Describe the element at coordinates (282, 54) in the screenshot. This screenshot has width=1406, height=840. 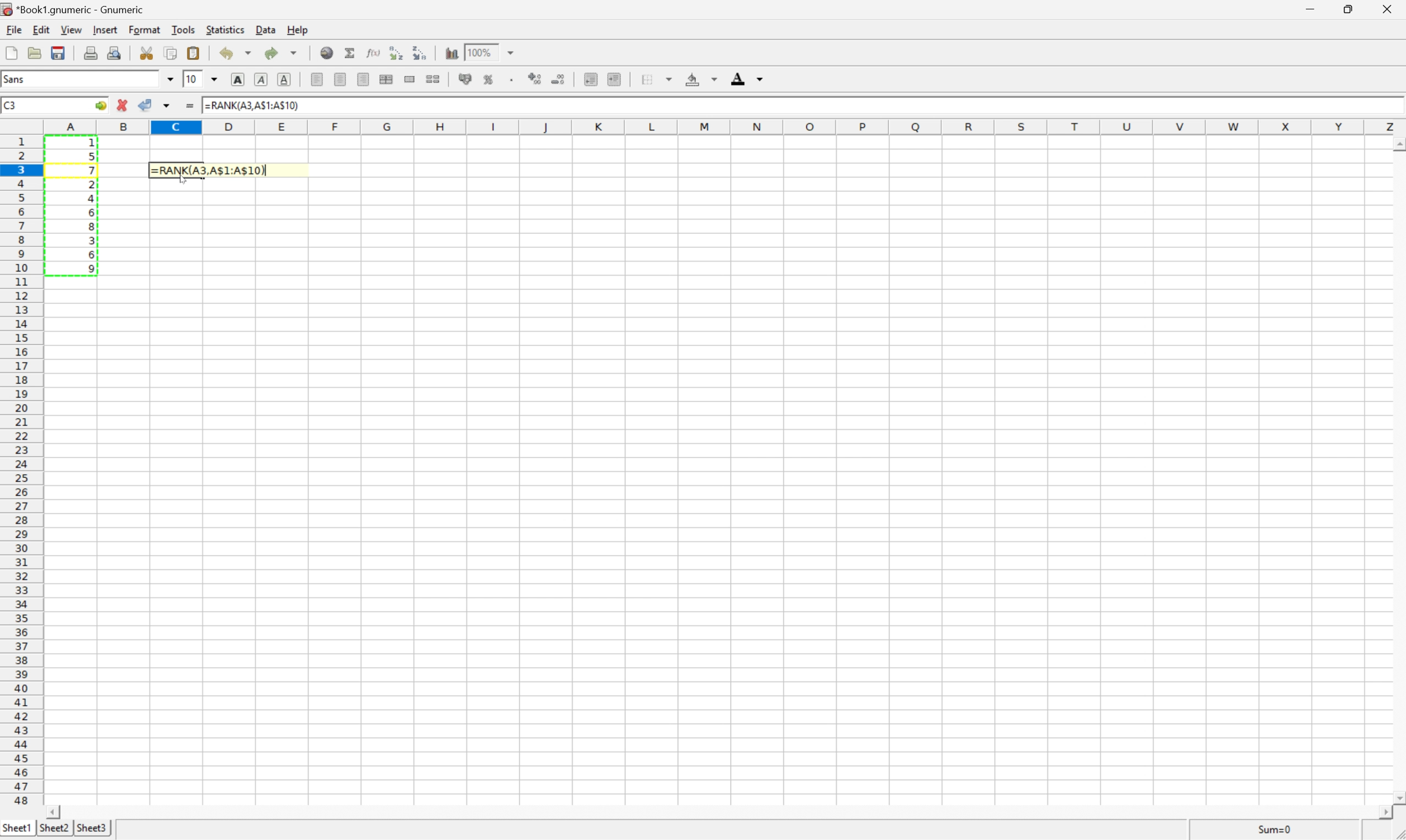
I see `redo` at that location.